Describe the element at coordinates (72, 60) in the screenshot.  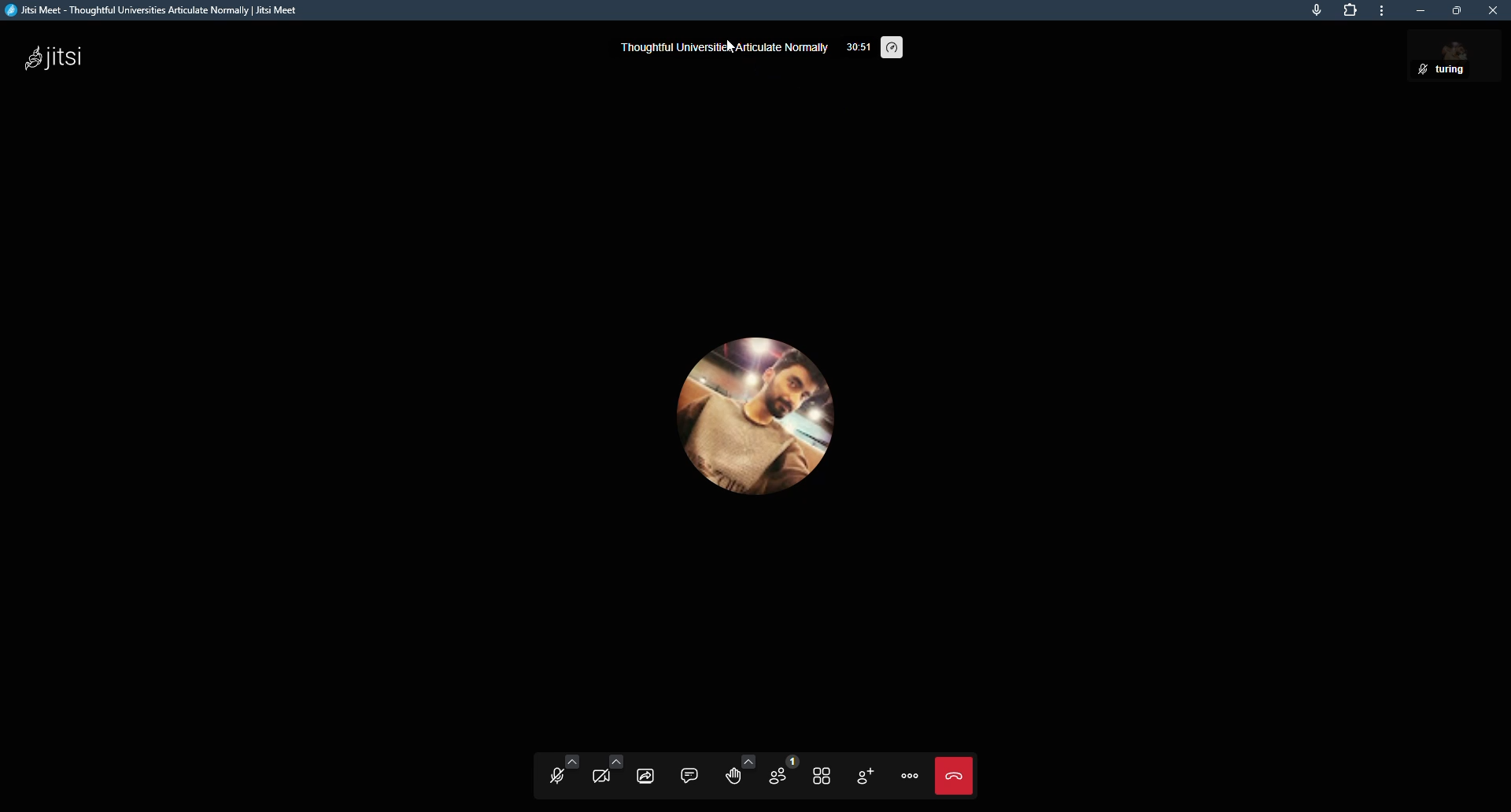
I see `jitsi` at that location.